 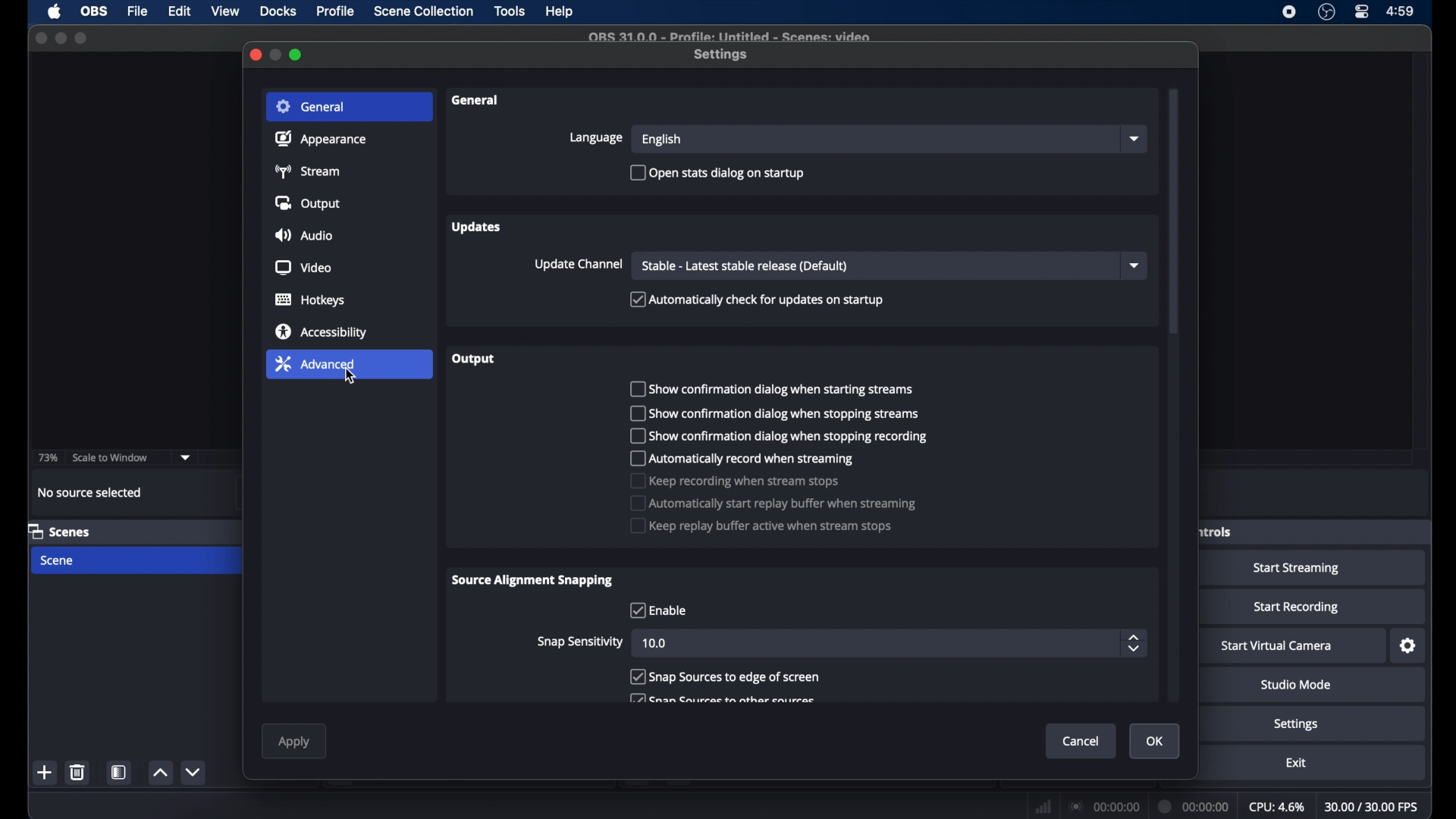 I want to click on close, so click(x=256, y=55).